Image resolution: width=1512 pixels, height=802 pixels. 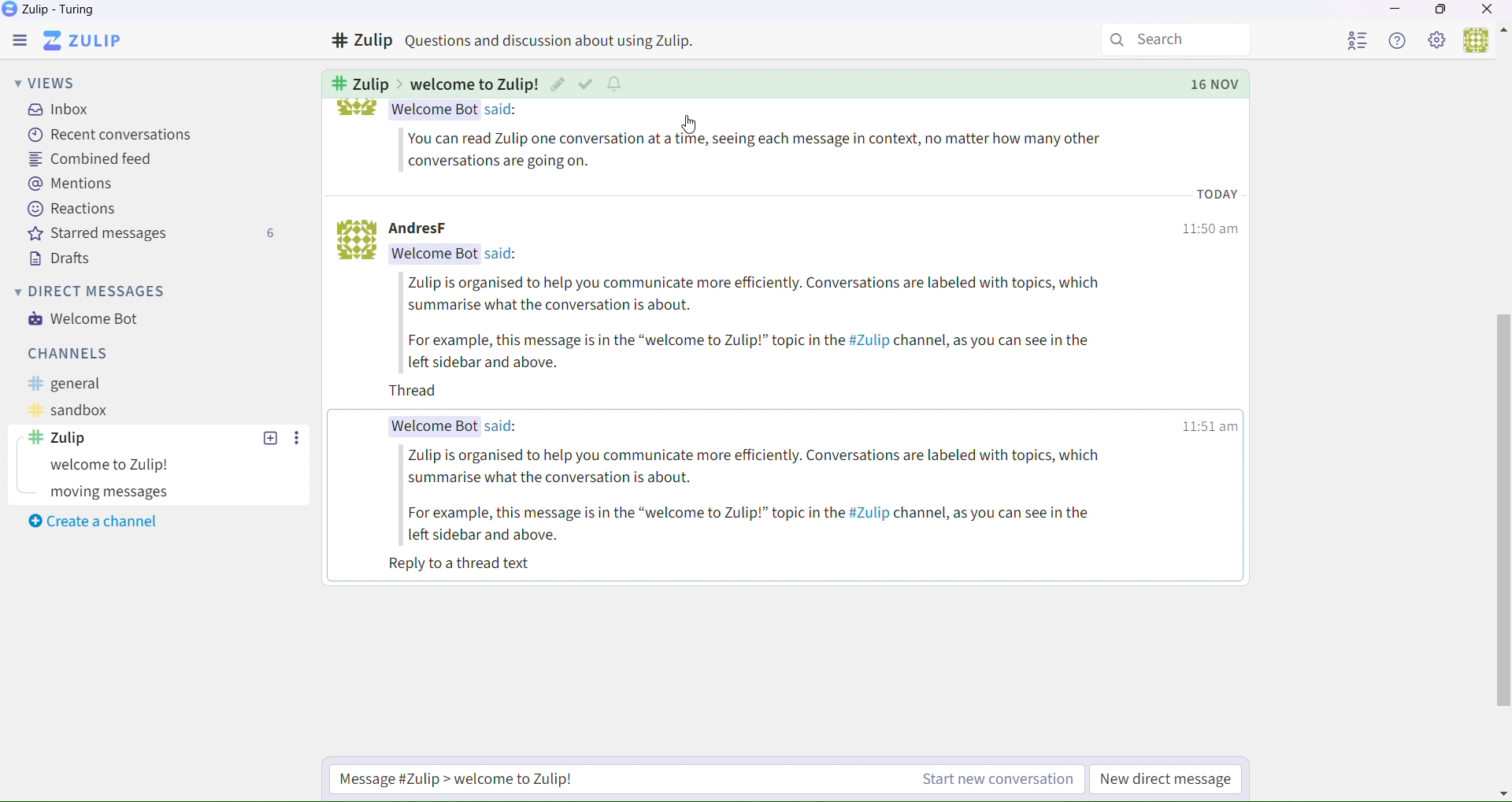 I want to click on , so click(x=271, y=438).